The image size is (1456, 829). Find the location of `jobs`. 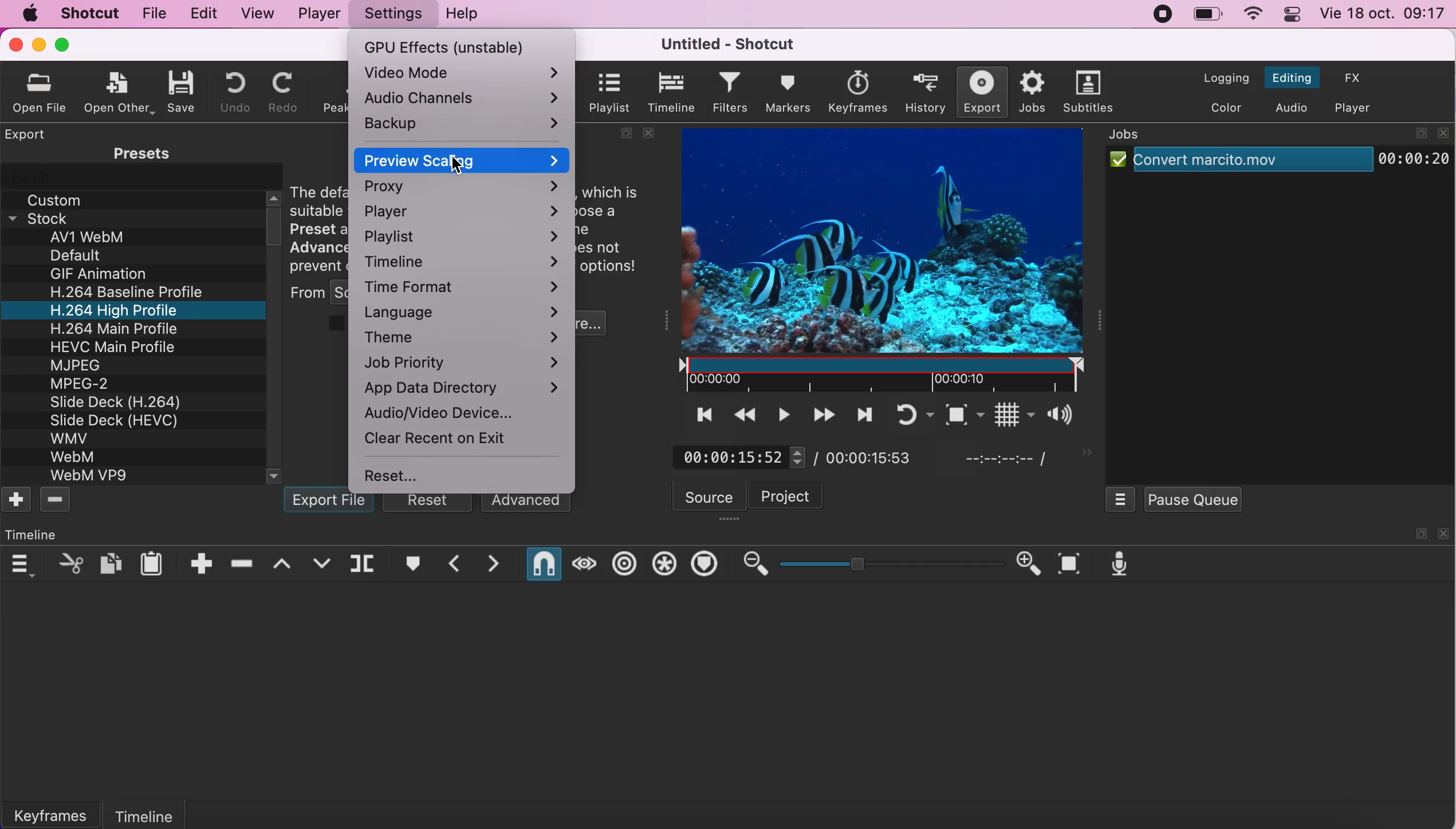

jobs is located at coordinates (1030, 92).